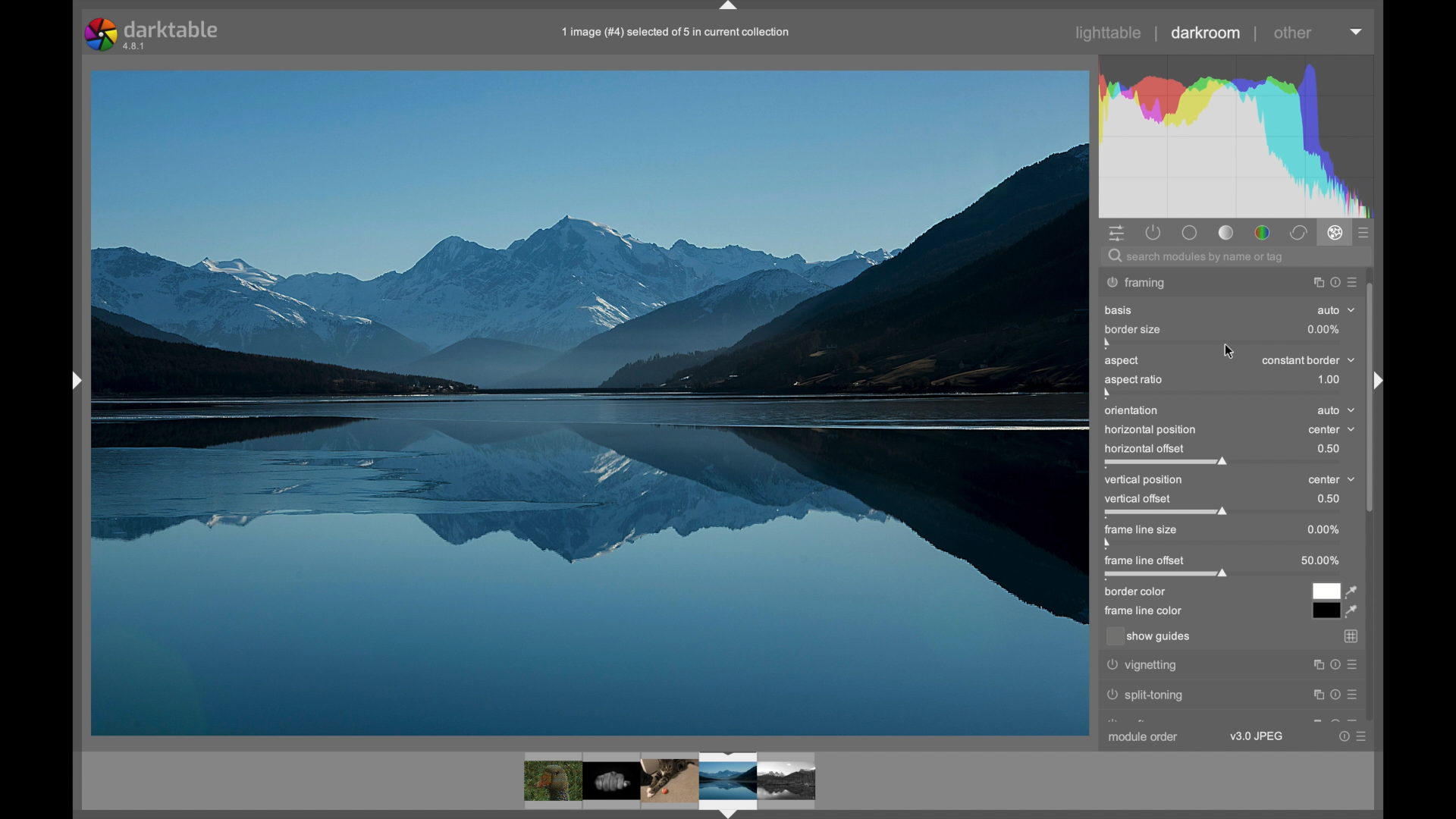 This screenshot has width=1456, height=819. Describe the element at coordinates (732, 8) in the screenshot. I see `drag handle` at that location.